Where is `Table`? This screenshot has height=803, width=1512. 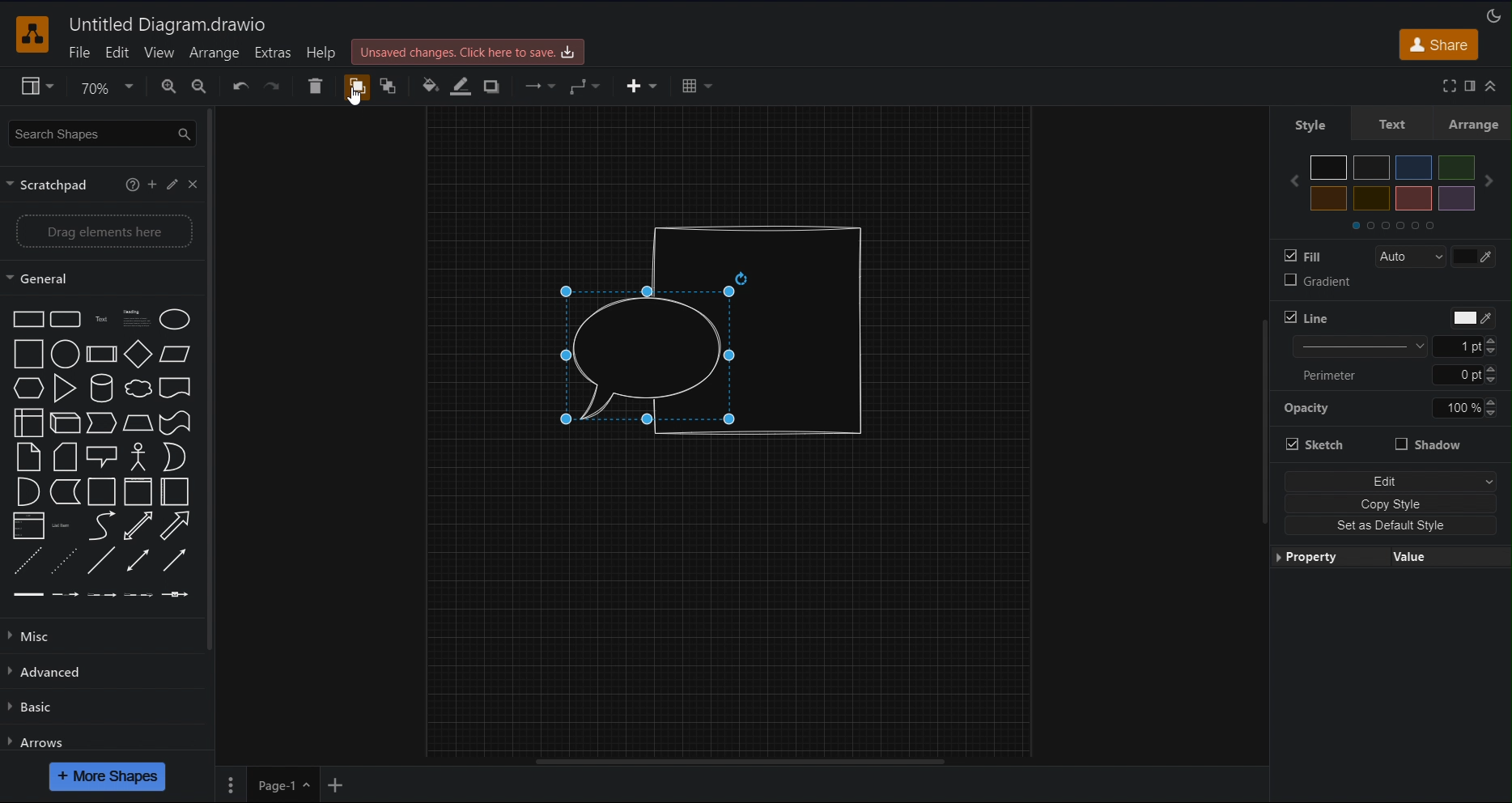 Table is located at coordinates (697, 86).